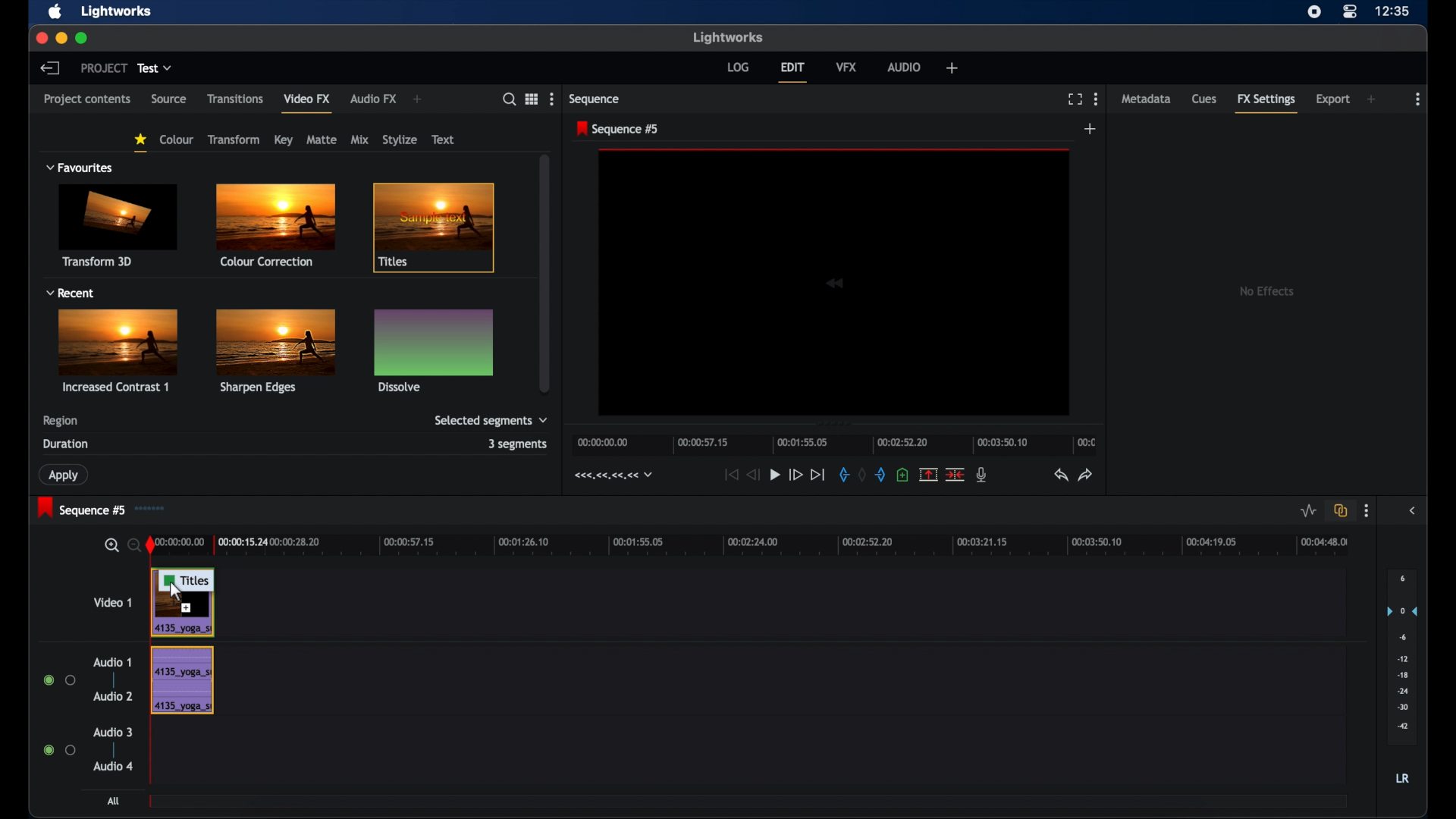 The height and width of the screenshot is (819, 1456). Describe the element at coordinates (112, 733) in the screenshot. I see `audio 3` at that location.